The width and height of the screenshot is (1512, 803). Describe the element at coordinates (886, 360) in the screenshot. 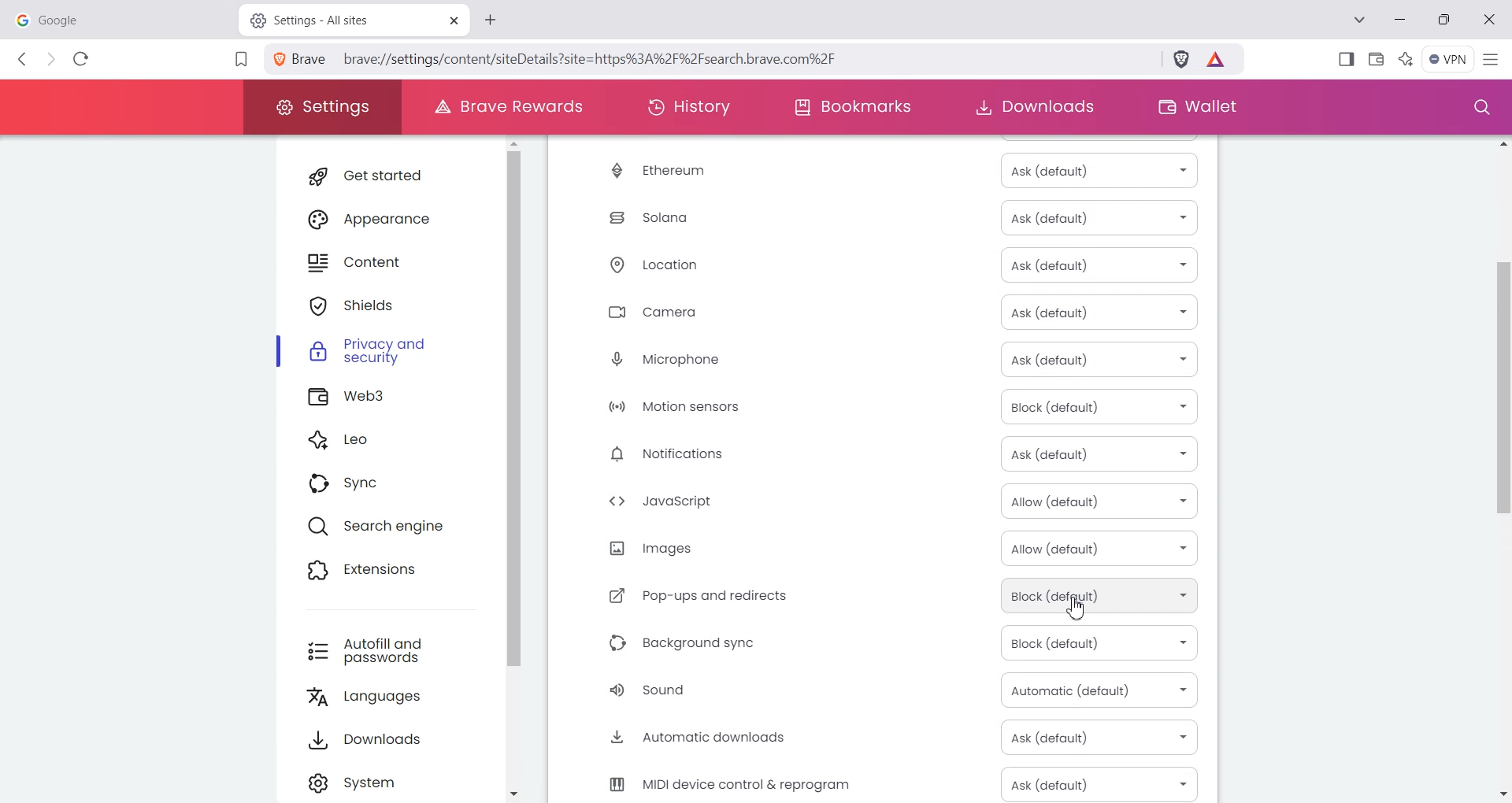

I see `Microphone Ask (Default)` at that location.